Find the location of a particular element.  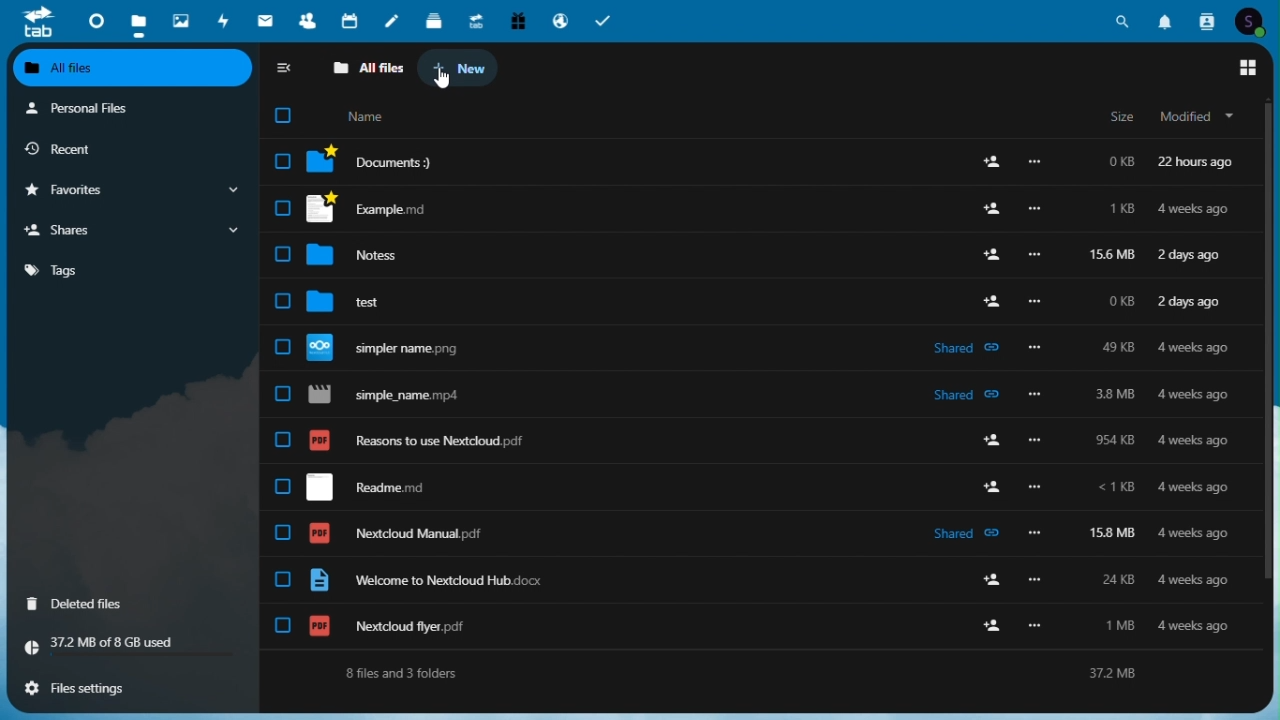

File settings is located at coordinates (135, 685).